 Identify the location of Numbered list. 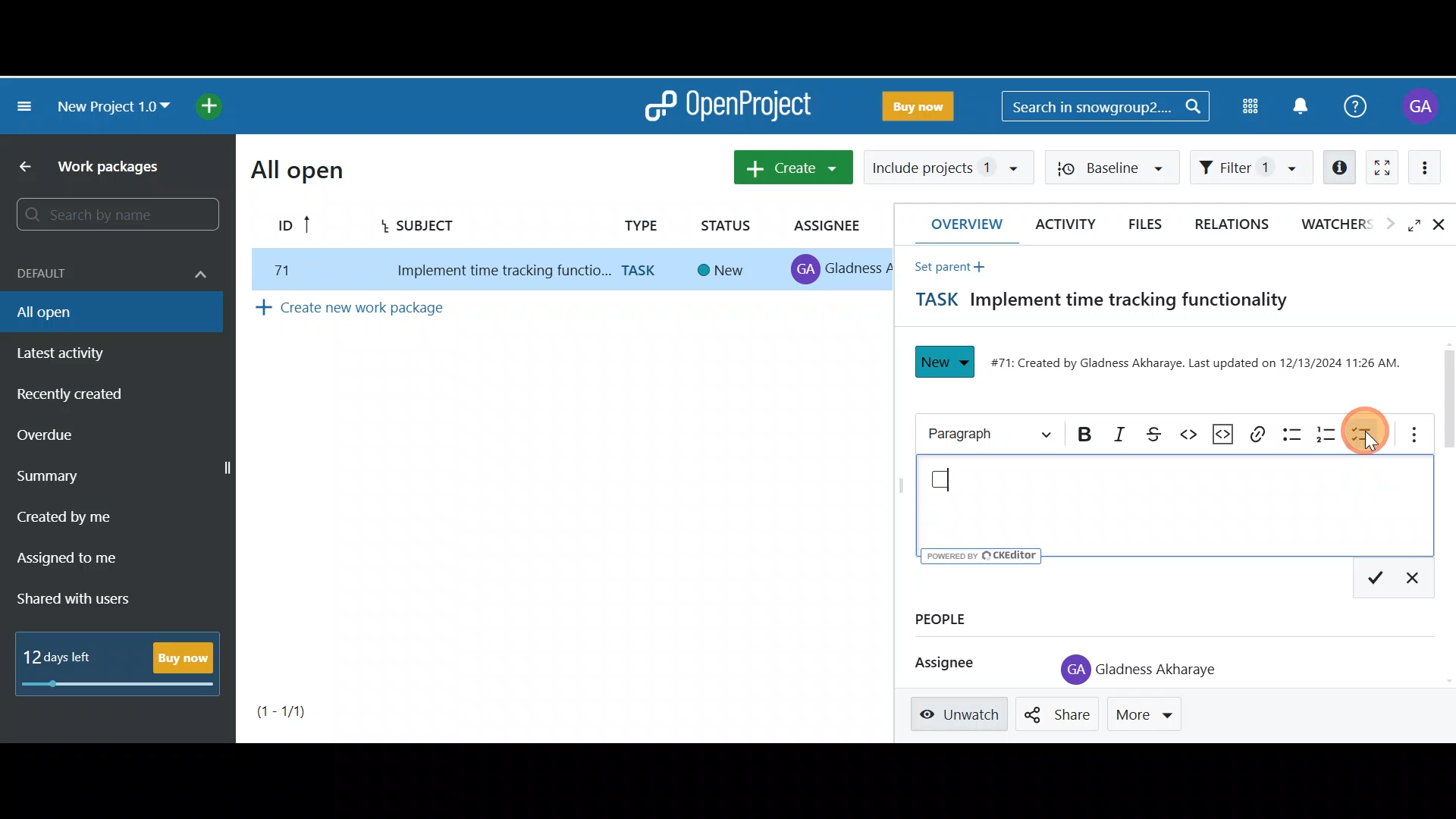
(1329, 431).